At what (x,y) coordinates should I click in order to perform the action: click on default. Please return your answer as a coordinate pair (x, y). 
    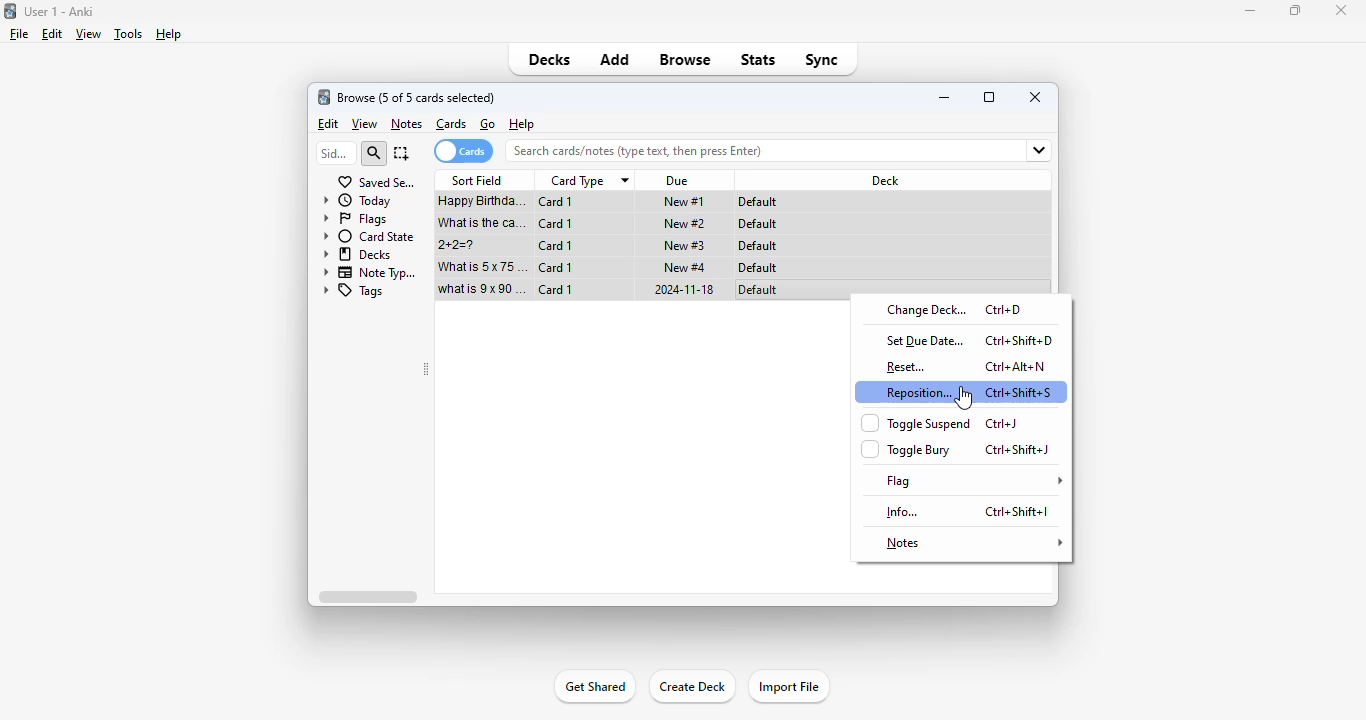
    Looking at the image, I should click on (758, 290).